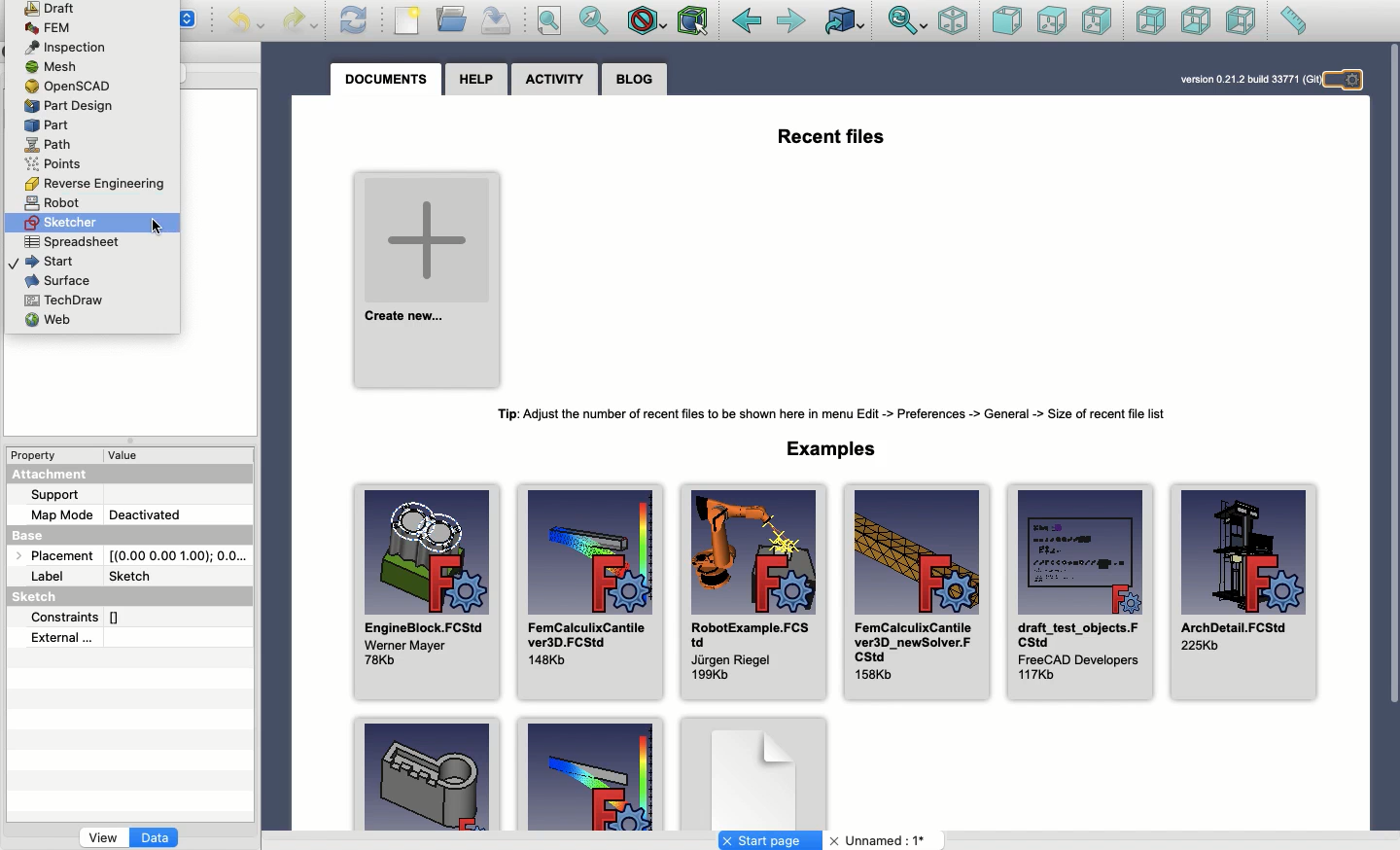 The image size is (1400, 850). Describe the element at coordinates (554, 80) in the screenshot. I see `Activity ` at that location.